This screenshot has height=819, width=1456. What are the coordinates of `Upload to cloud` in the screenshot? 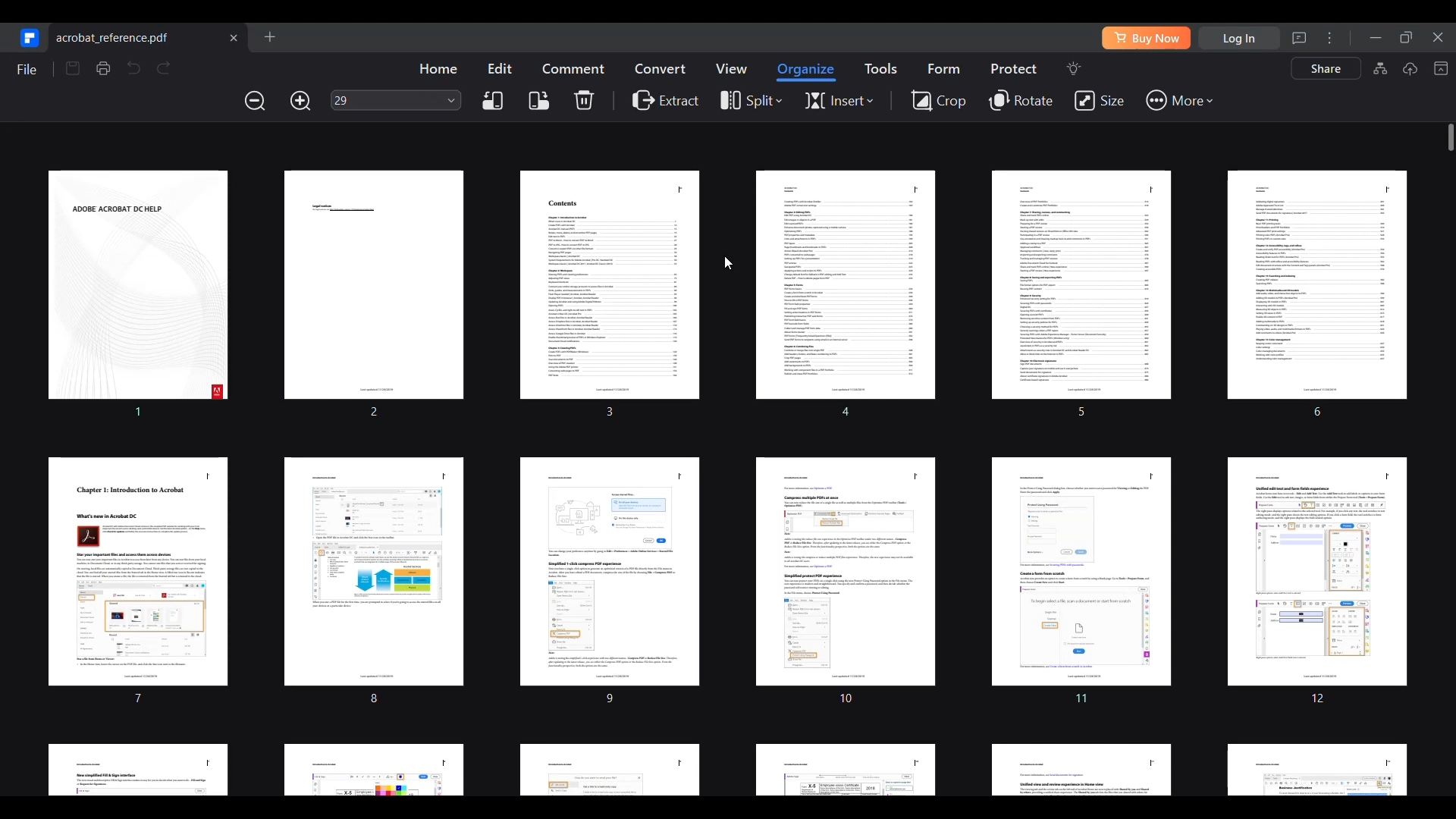 It's located at (1410, 68).